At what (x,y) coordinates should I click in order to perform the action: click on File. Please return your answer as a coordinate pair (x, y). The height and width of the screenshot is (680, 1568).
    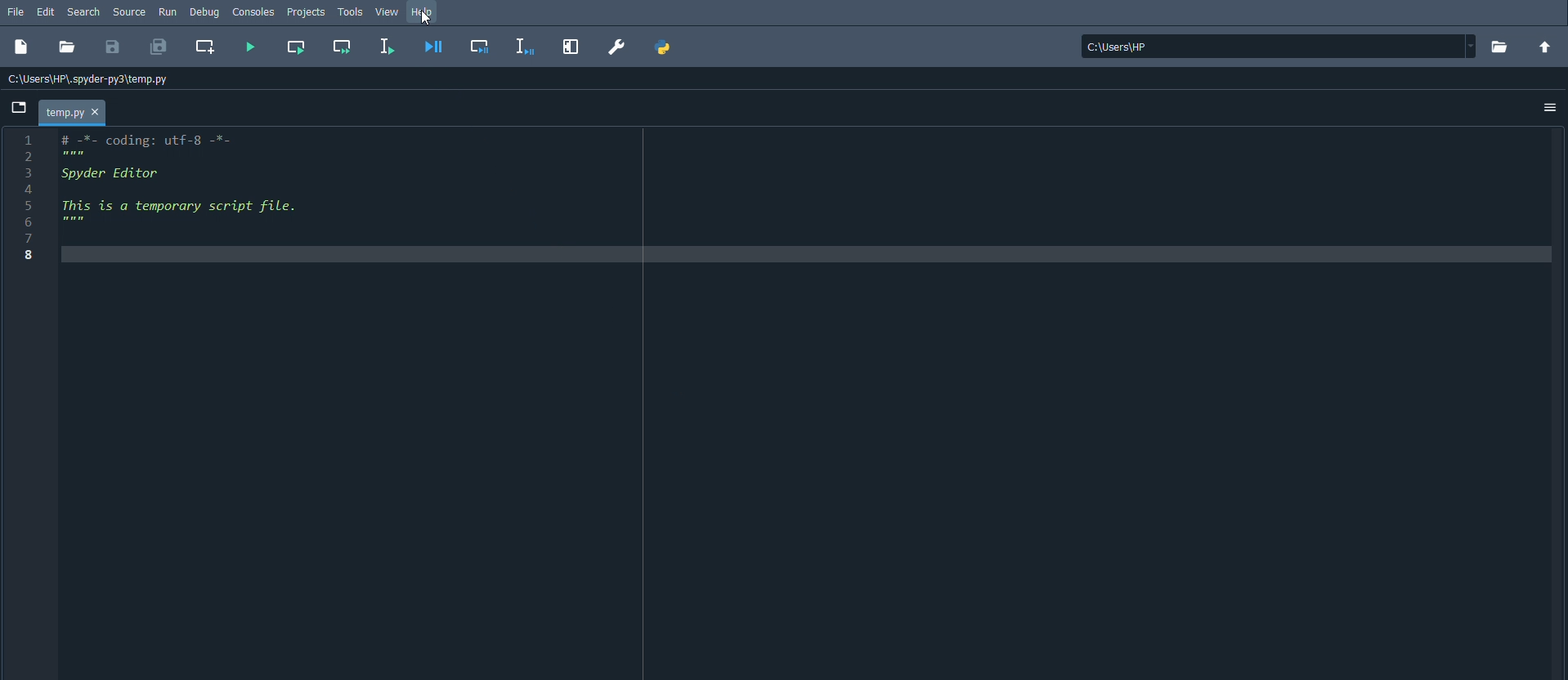
    Looking at the image, I should click on (14, 12).